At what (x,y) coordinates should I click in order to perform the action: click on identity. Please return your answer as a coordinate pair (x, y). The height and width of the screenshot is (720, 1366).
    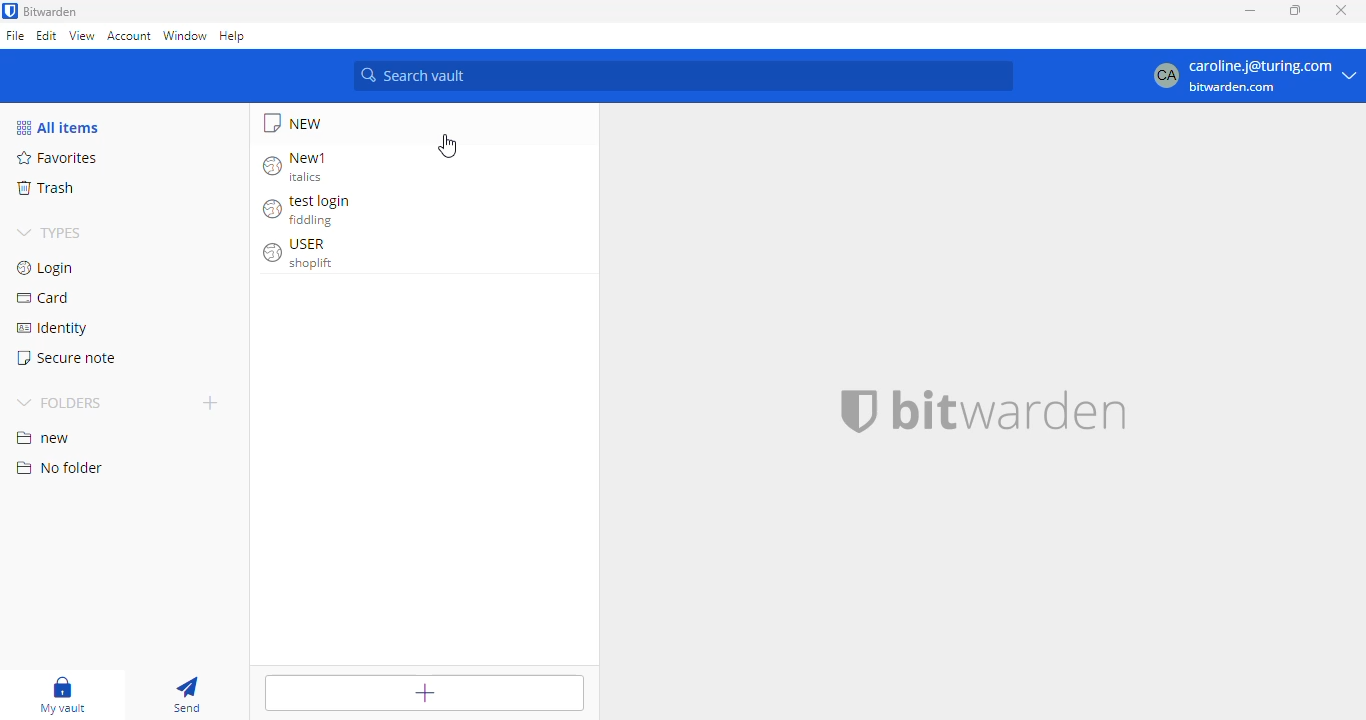
    Looking at the image, I should click on (51, 329).